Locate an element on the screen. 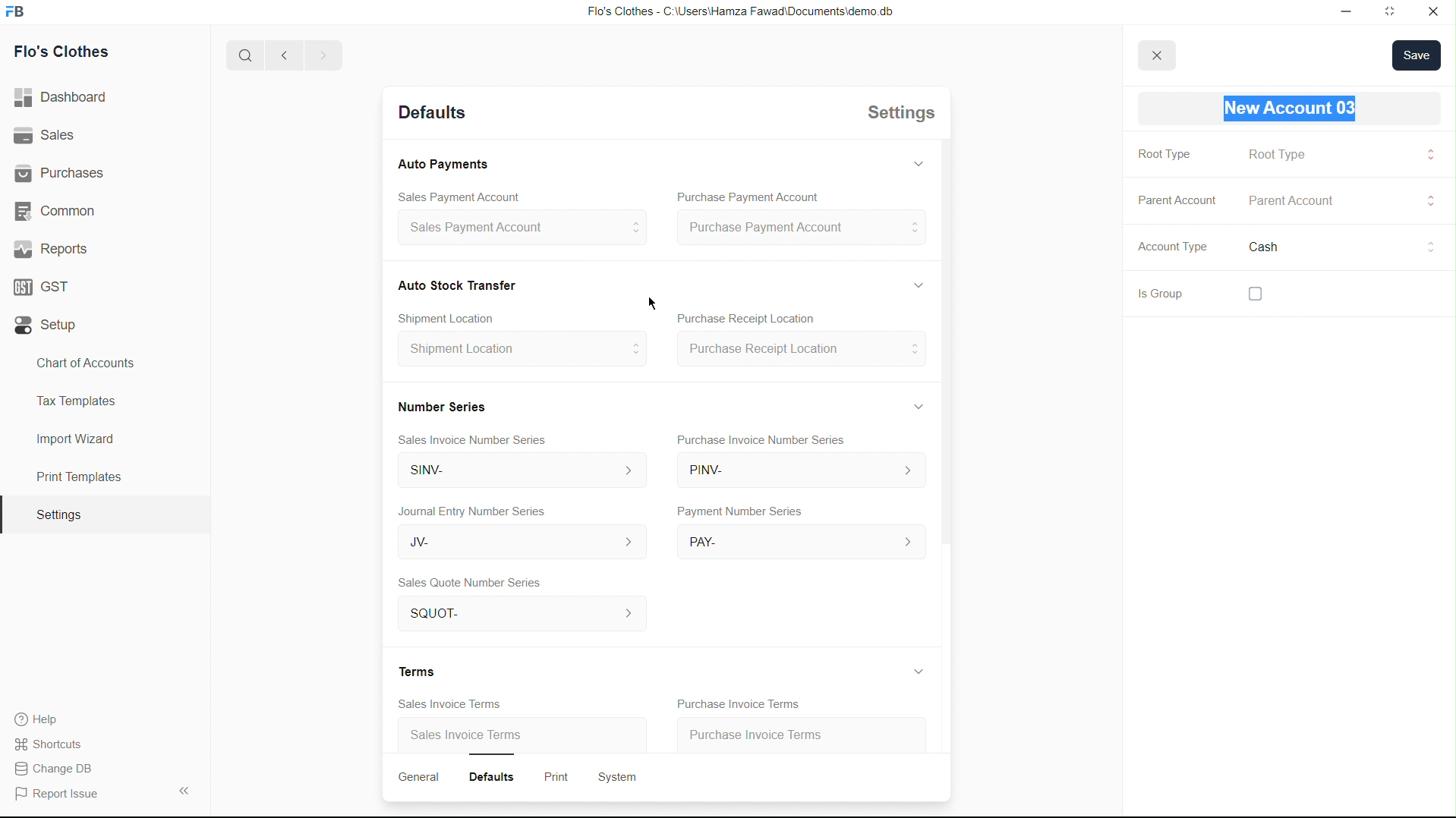 This screenshot has height=818, width=1456. Sales Invoice Terms is located at coordinates (442, 703).